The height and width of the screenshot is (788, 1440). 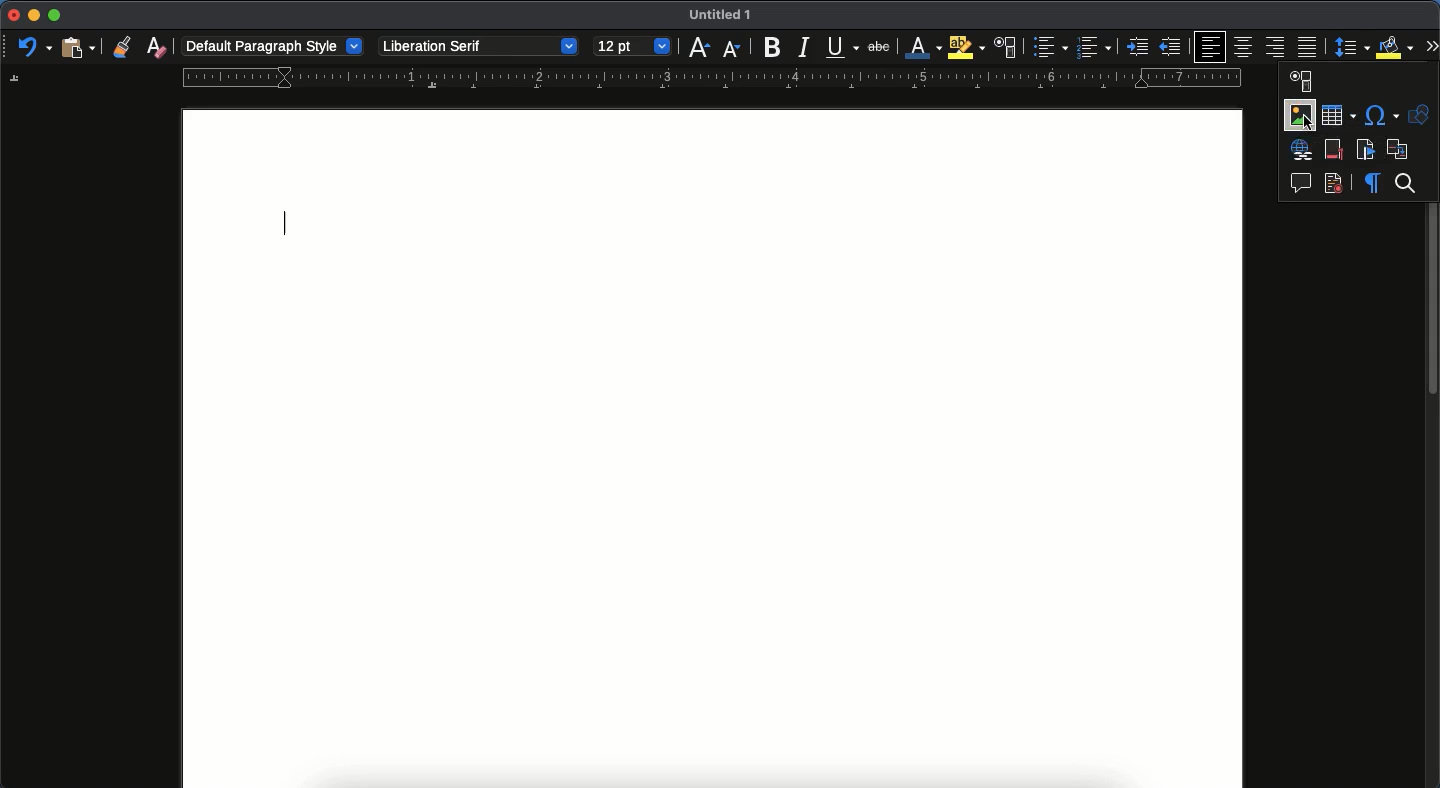 What do you see at coordinates (1302, 82) in the screenshot?
I see `character` at bounding box center [1302, 82].